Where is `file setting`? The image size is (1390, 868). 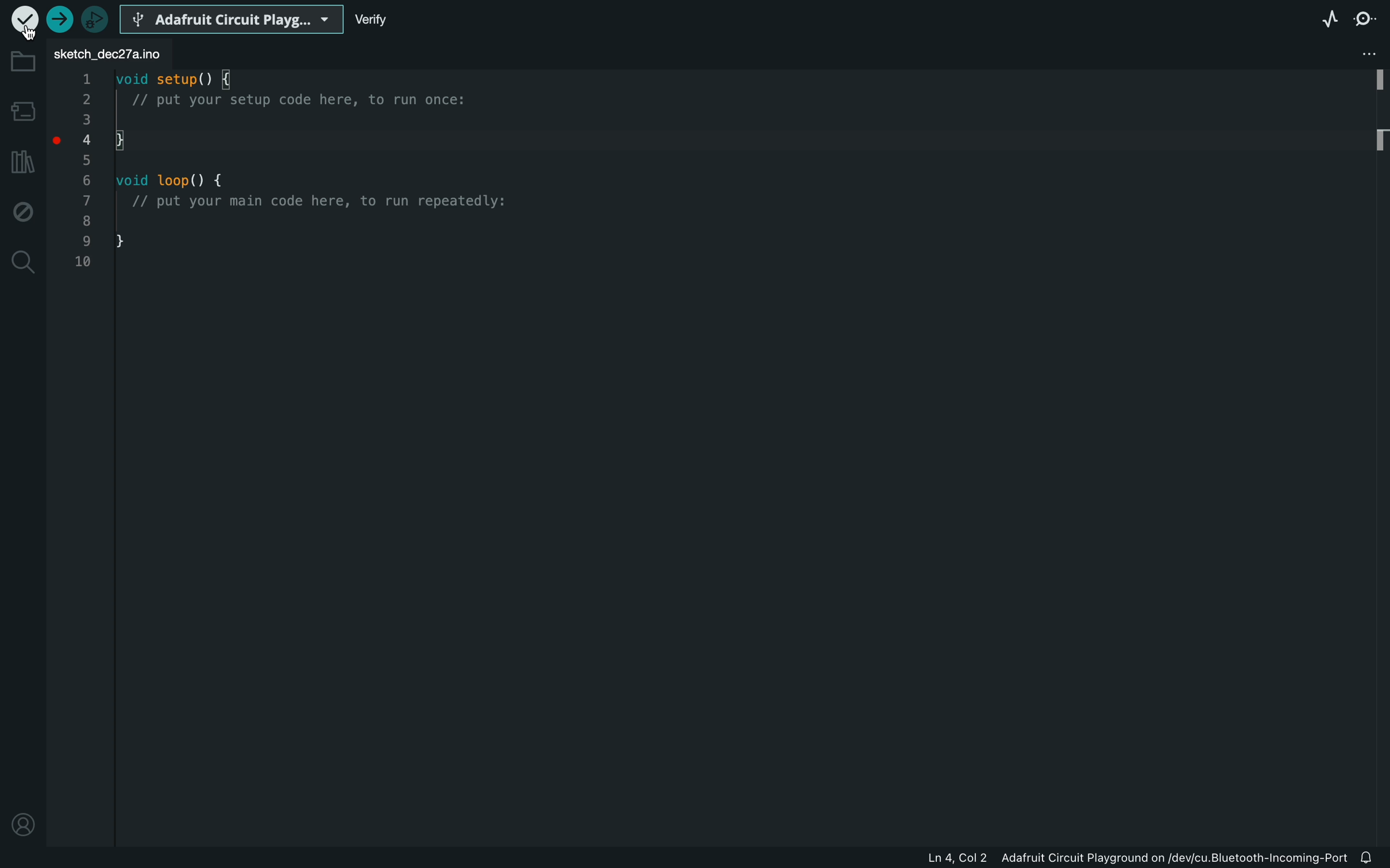 file setting is located at coordinates (1353, 55).